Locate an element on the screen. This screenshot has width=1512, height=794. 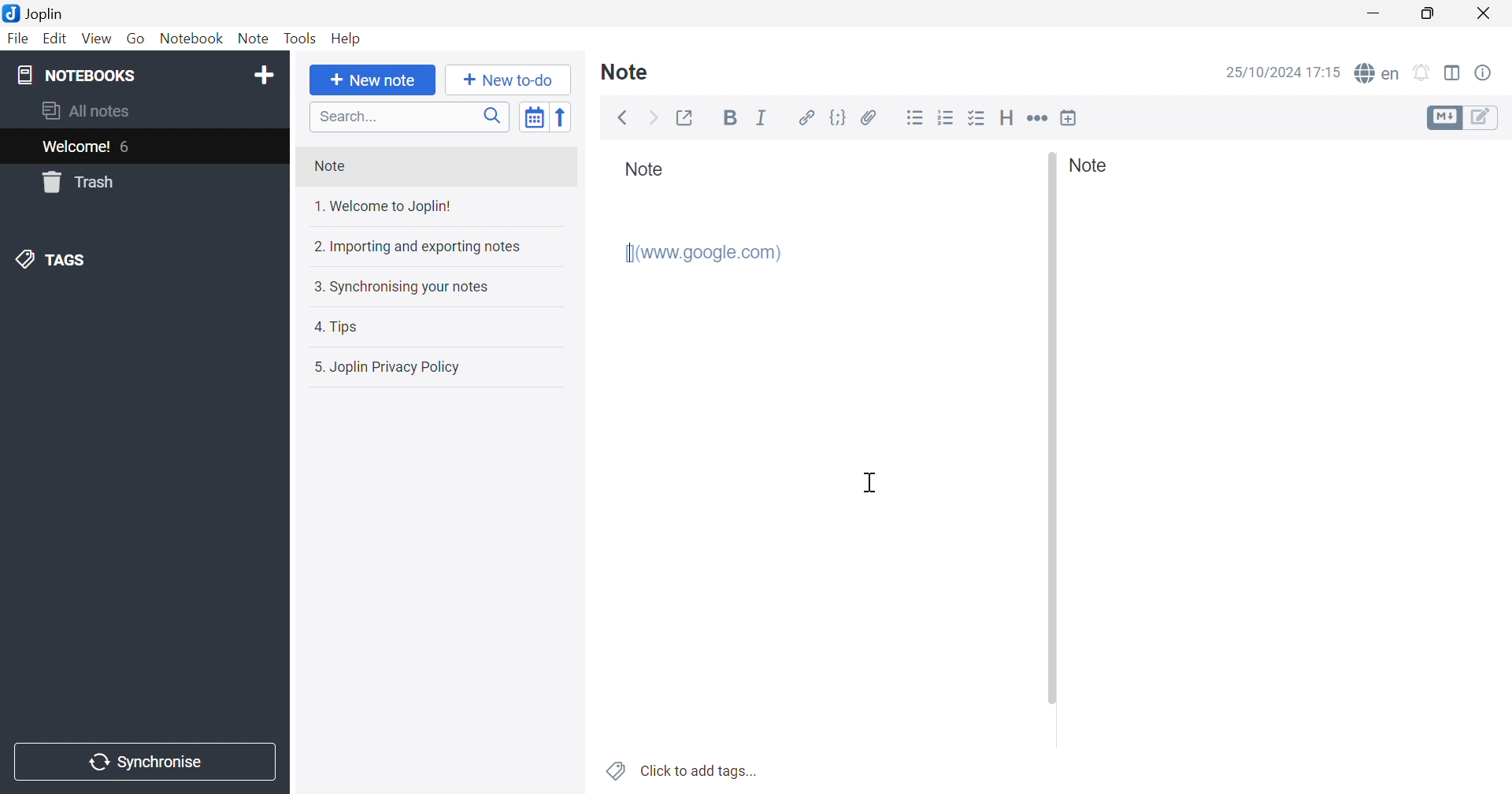
Note is located at coordinates (435, 168).